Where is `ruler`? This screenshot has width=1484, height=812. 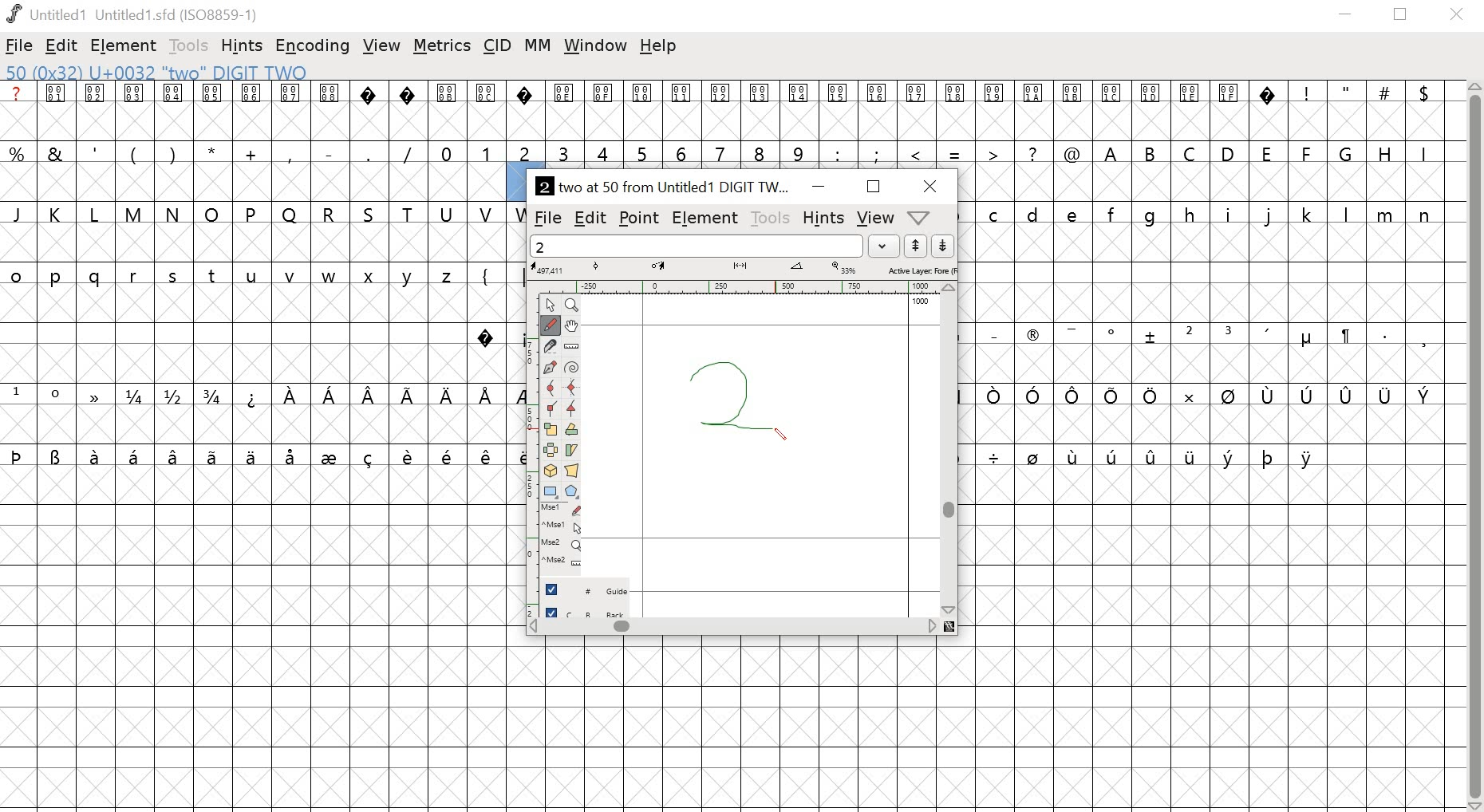 ruler is located at coordinates (742, 288).